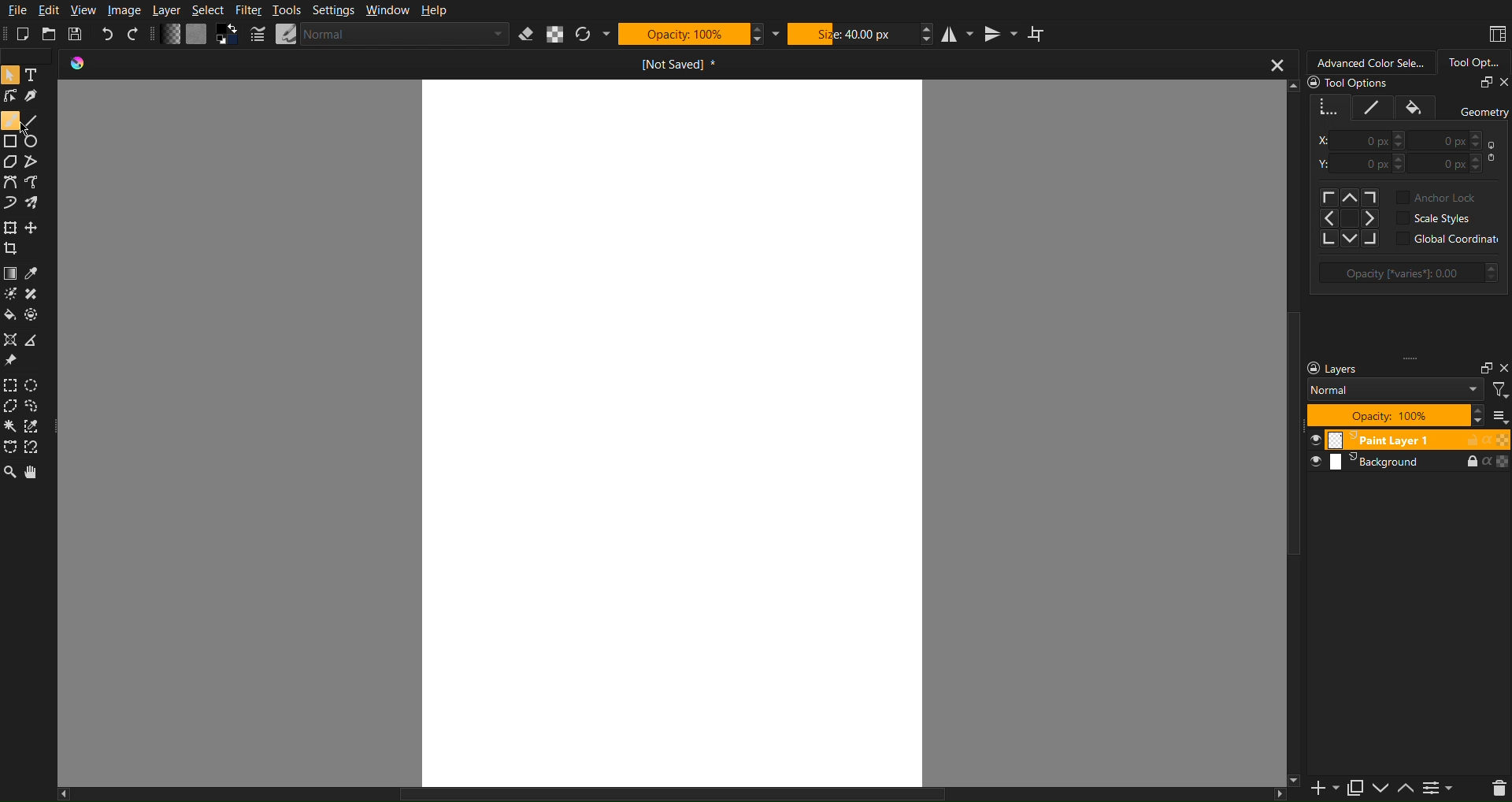 The width and height of the screenshot is (1512, 802). Describe the element at coordinates (681, 794) in the screenshot. I see `Scrollbar` at that location.